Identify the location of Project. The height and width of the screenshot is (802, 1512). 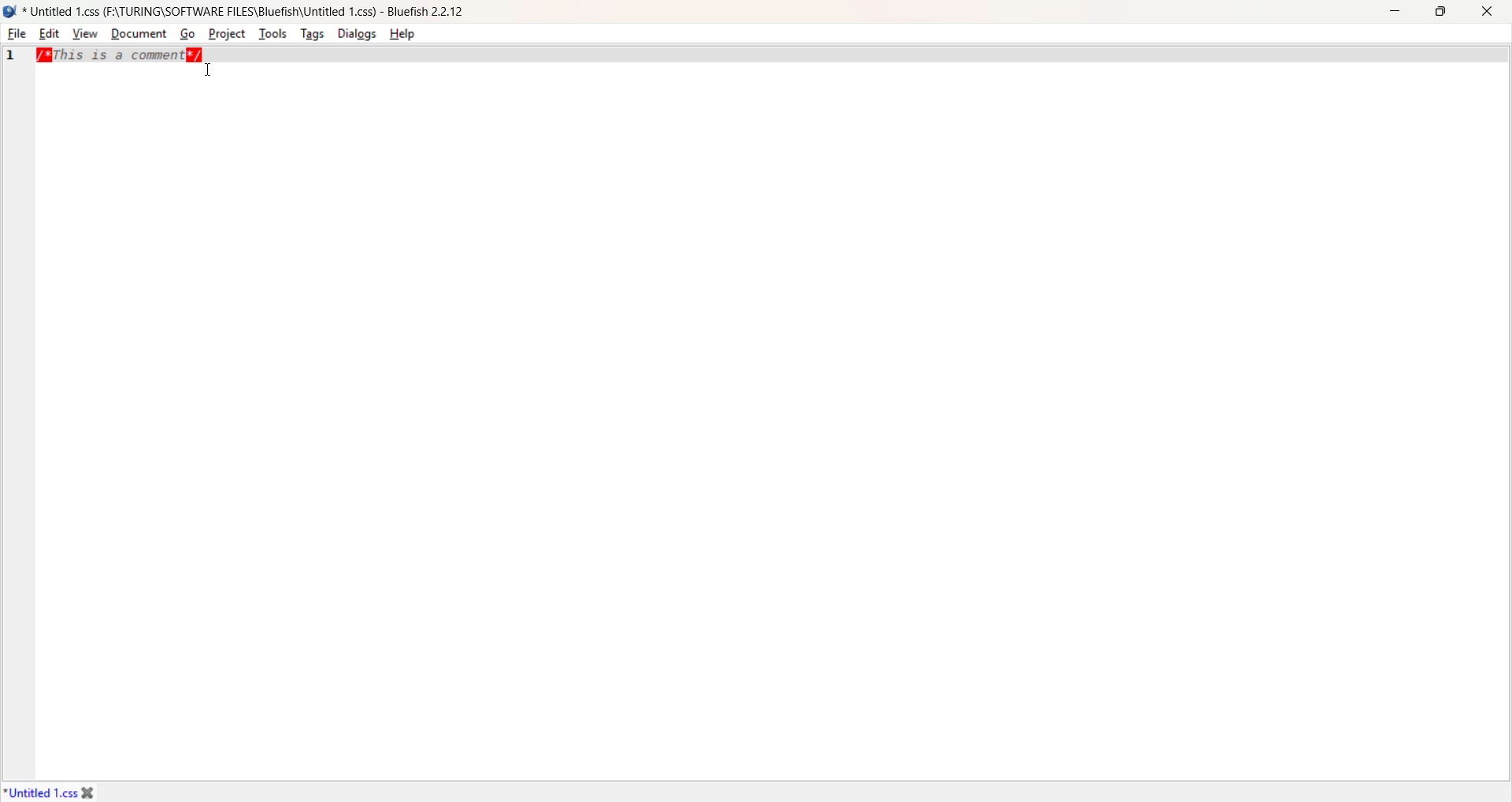
(228, 33).